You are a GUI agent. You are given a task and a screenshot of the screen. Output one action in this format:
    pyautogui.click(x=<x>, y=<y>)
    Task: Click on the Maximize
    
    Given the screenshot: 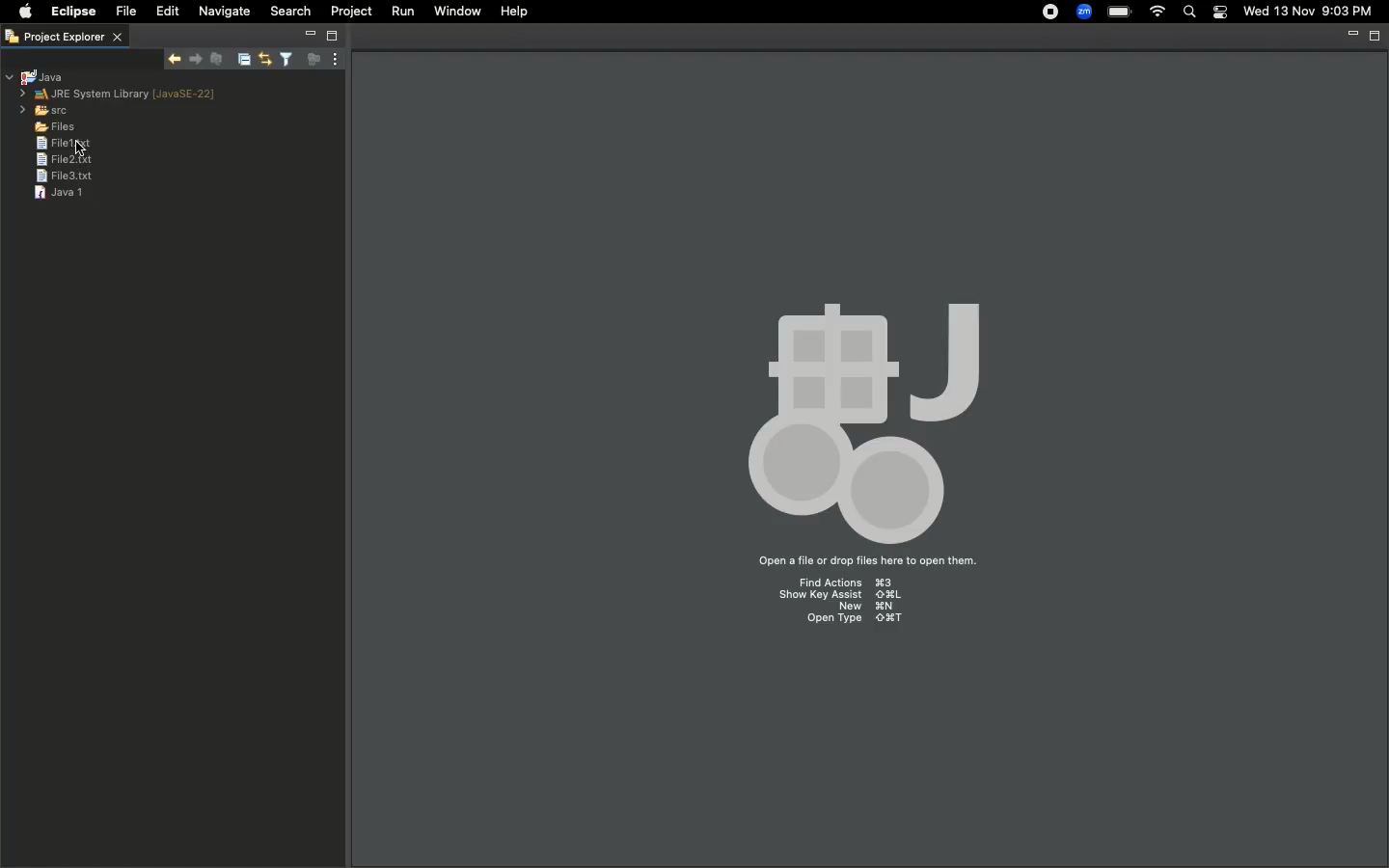 What is the action you would take?
    pyautogui.click(x=331, y=36)
    